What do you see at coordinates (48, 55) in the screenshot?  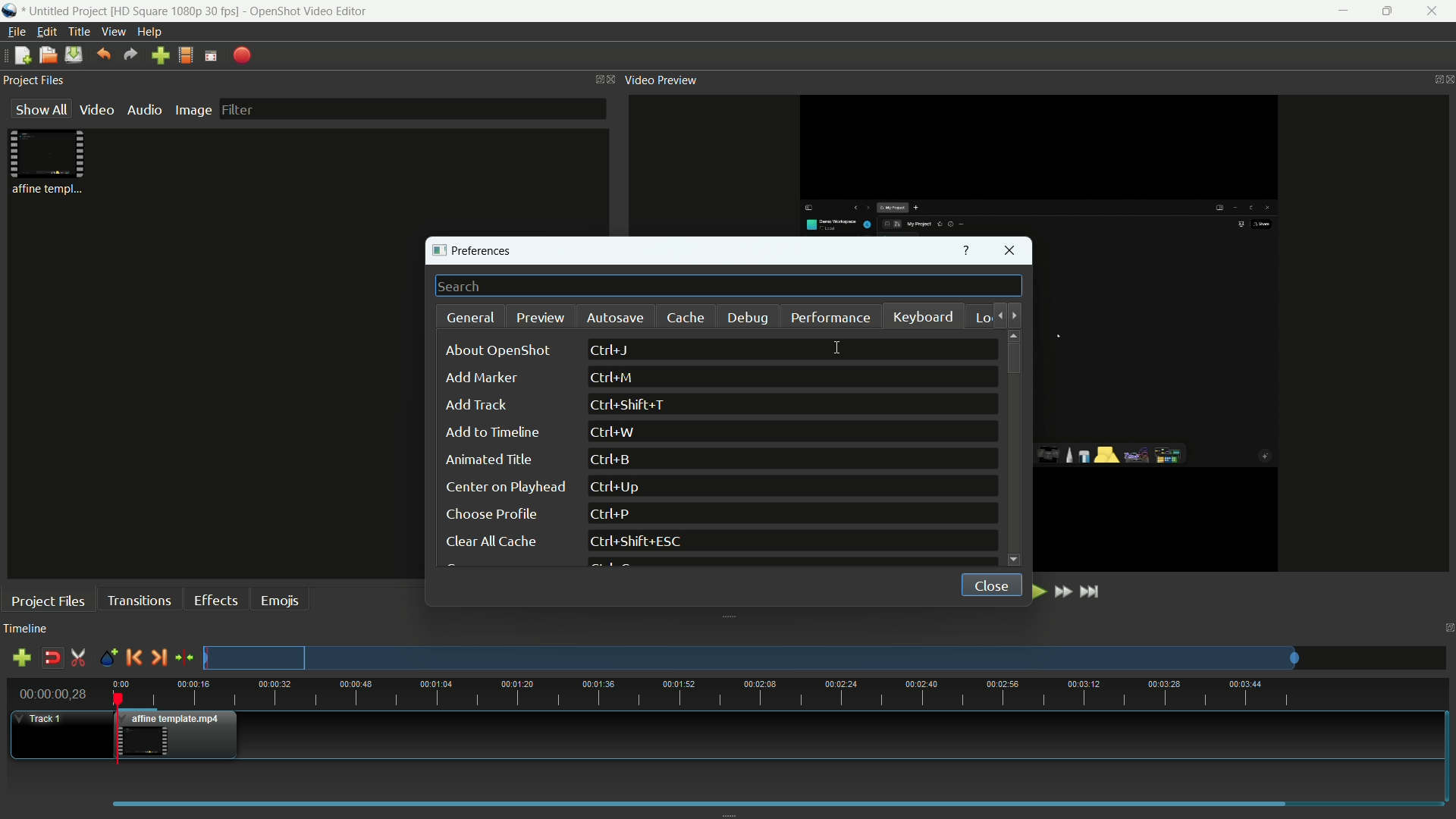 I see `open file` at bounding box center [48, 55].